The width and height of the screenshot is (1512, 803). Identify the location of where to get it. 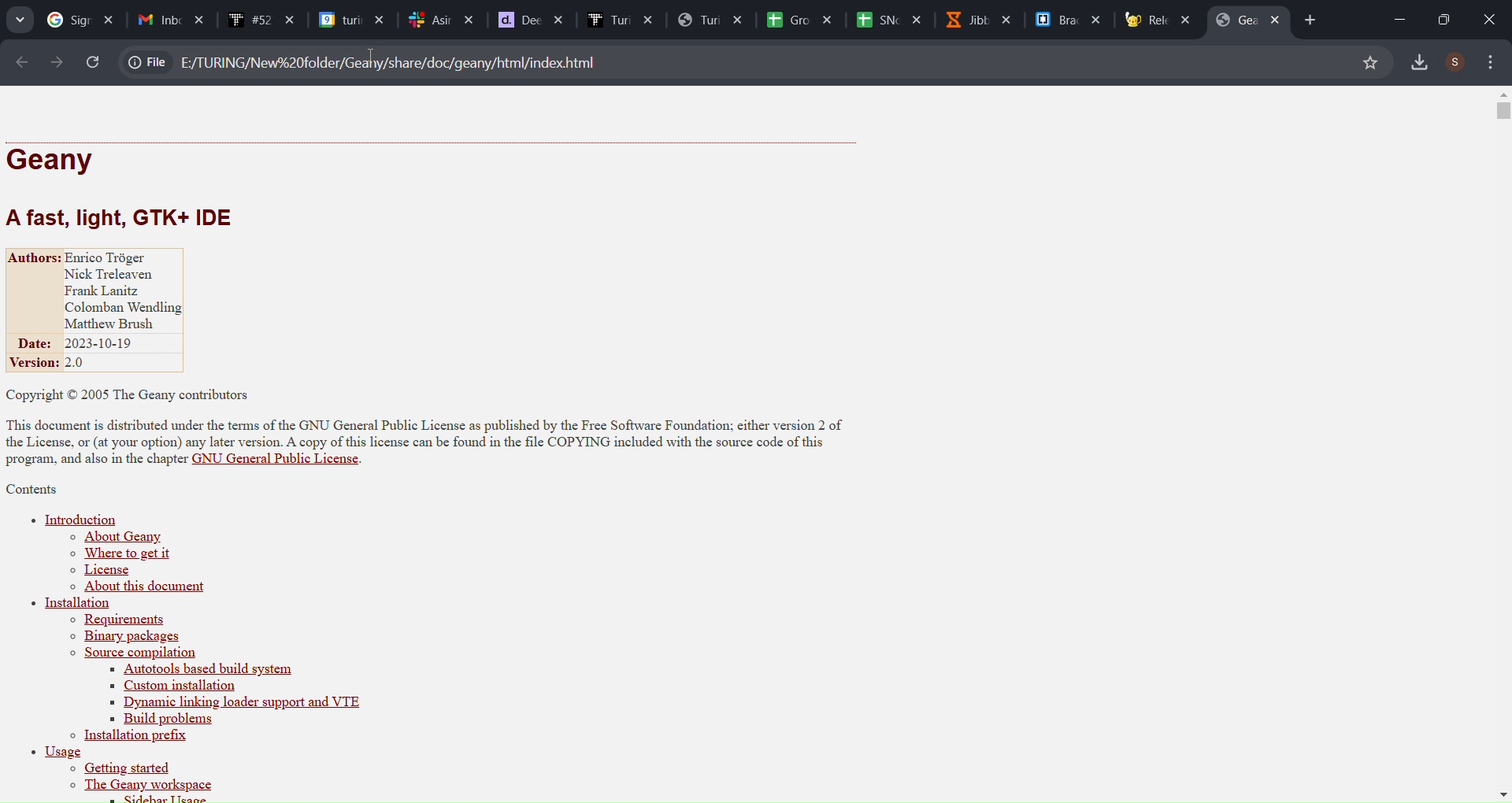
(118, 555).